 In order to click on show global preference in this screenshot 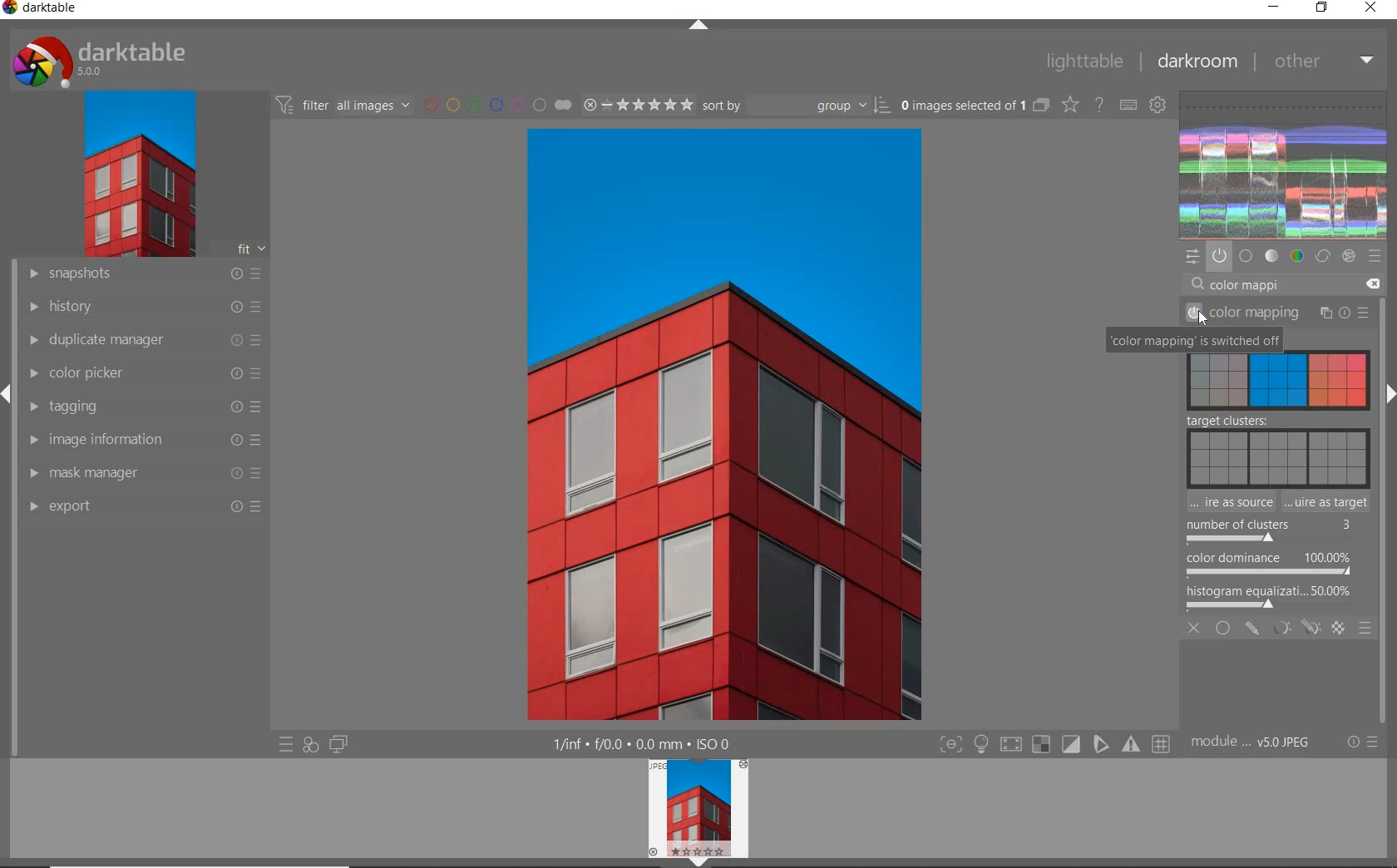, I will do `click(1158, 106)`.